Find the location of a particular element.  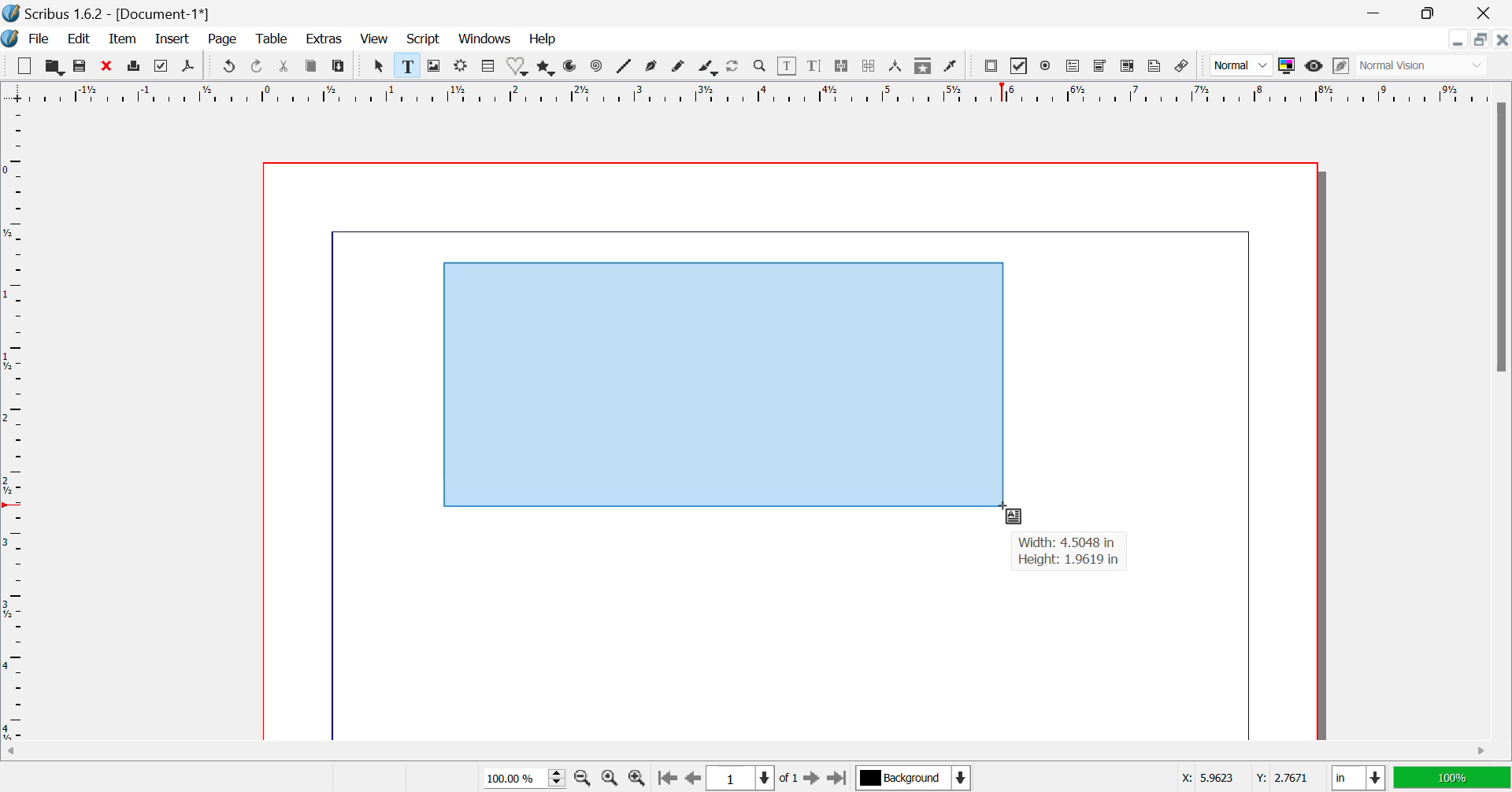

Copy is located at coordinates (312, 66).